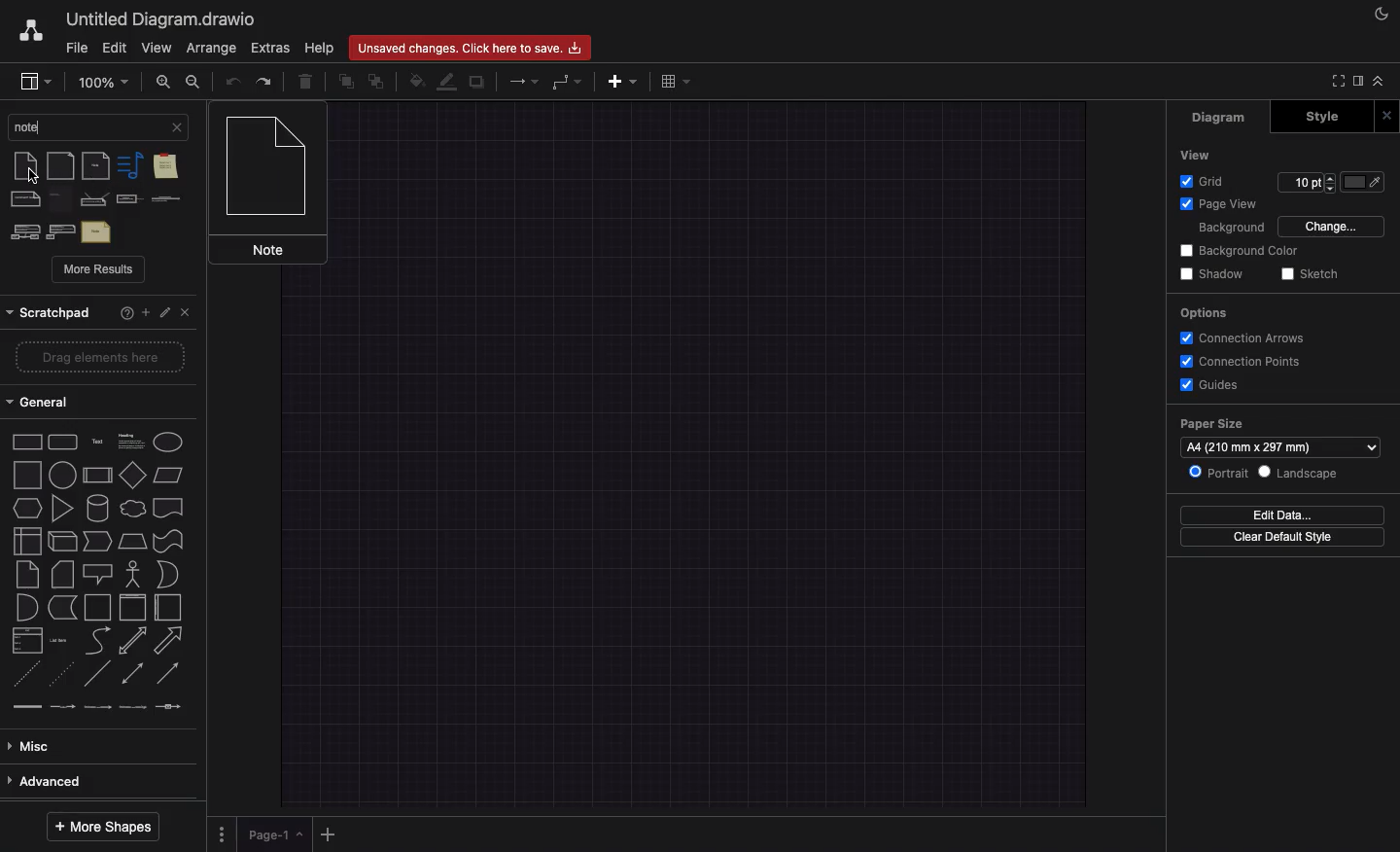 This screenshot has width=1400, height=852. Describe the element at coordinates (675, 80) in the screenshot. I see `Table` at that location.